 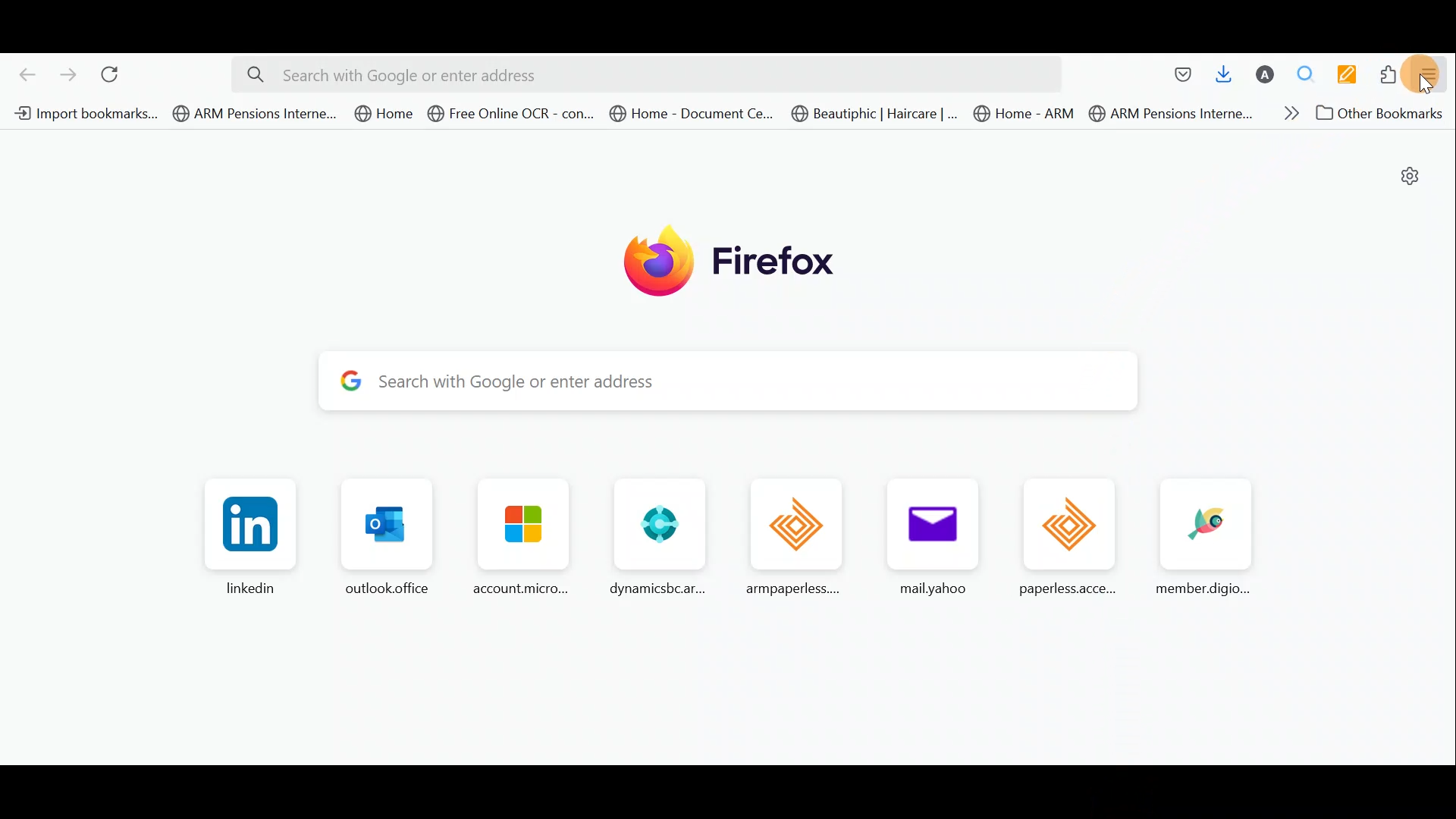 What do you see at coordinates (1307, 74) in the screenshot?
I see `Multiple search & highlight` at bounding box center [1307, 74].